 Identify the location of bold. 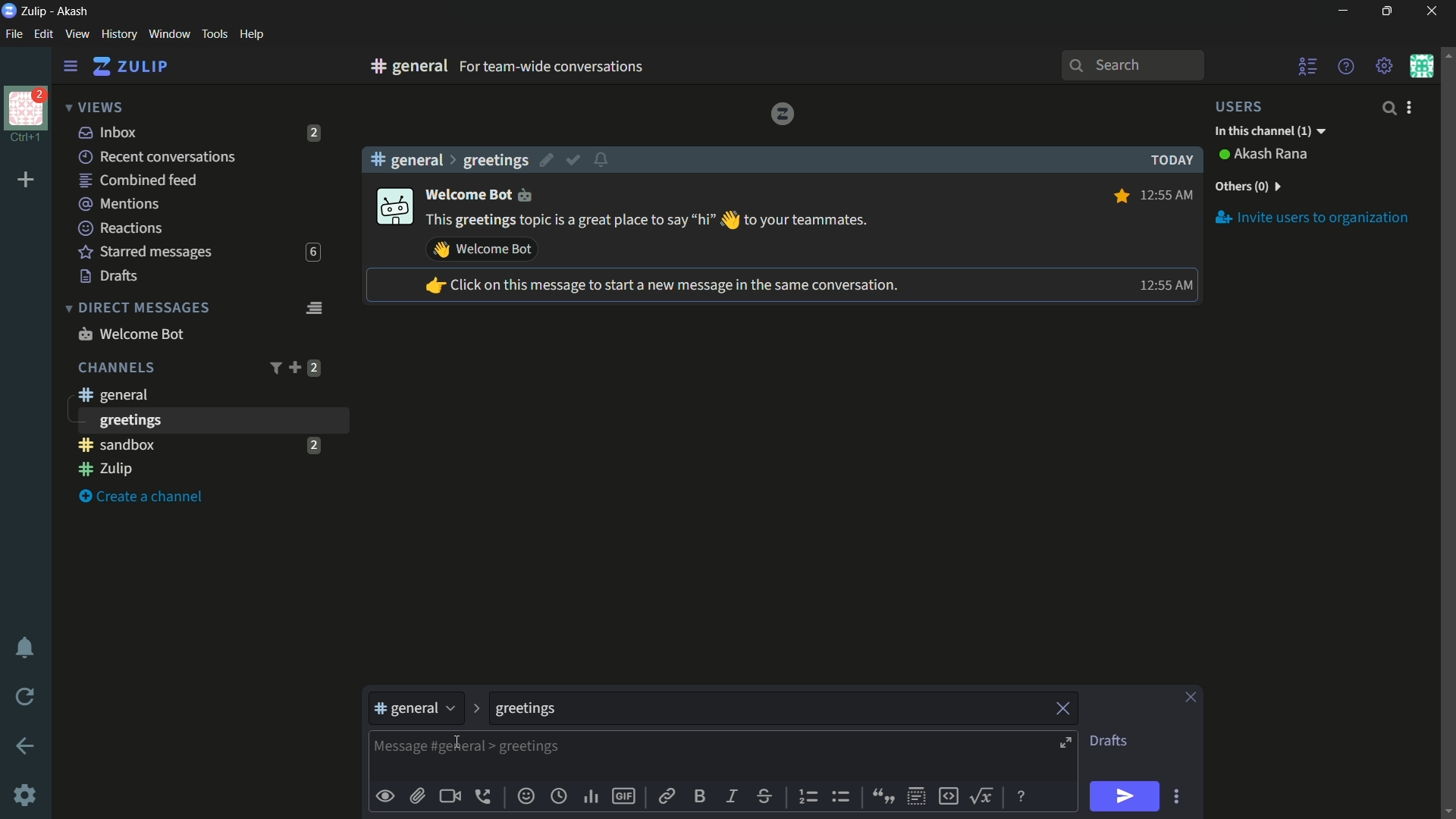
(701, 795).